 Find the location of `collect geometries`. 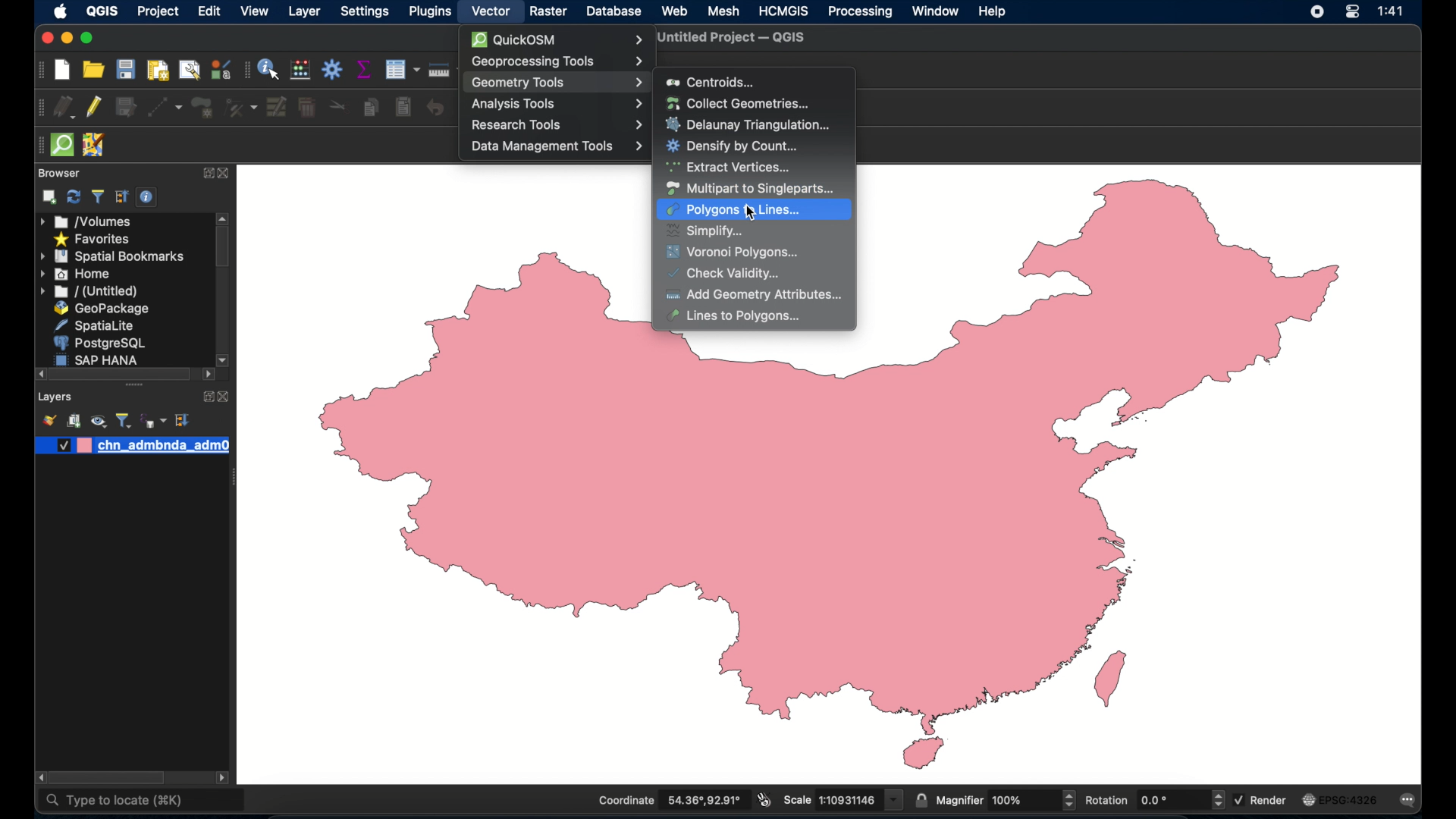

collect geometries is located at coordinates (737, 102).